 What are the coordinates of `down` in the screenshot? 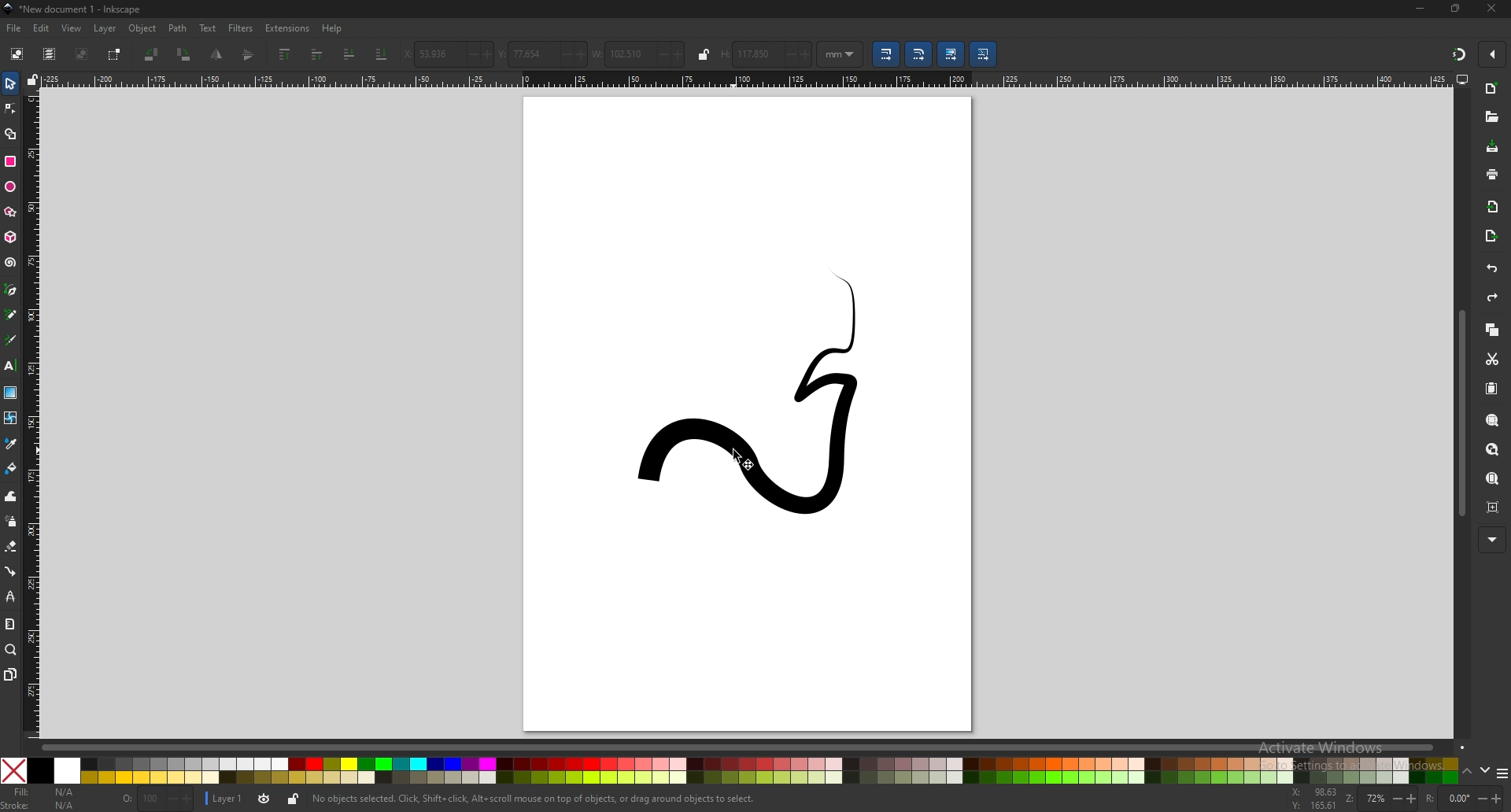 It's located at (1487, 770).